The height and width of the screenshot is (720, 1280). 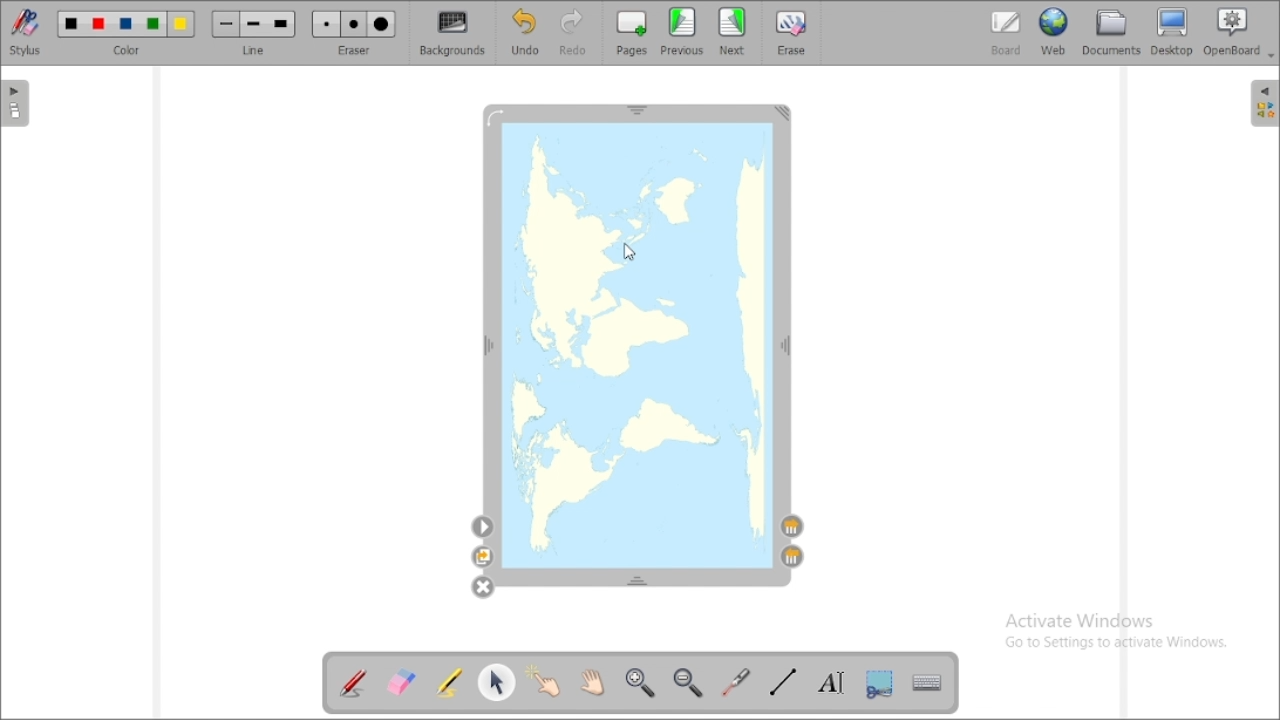 What do you see at coordinates (127, 32) in the screenshot?
I see `color` at bounding box center [127, 32].